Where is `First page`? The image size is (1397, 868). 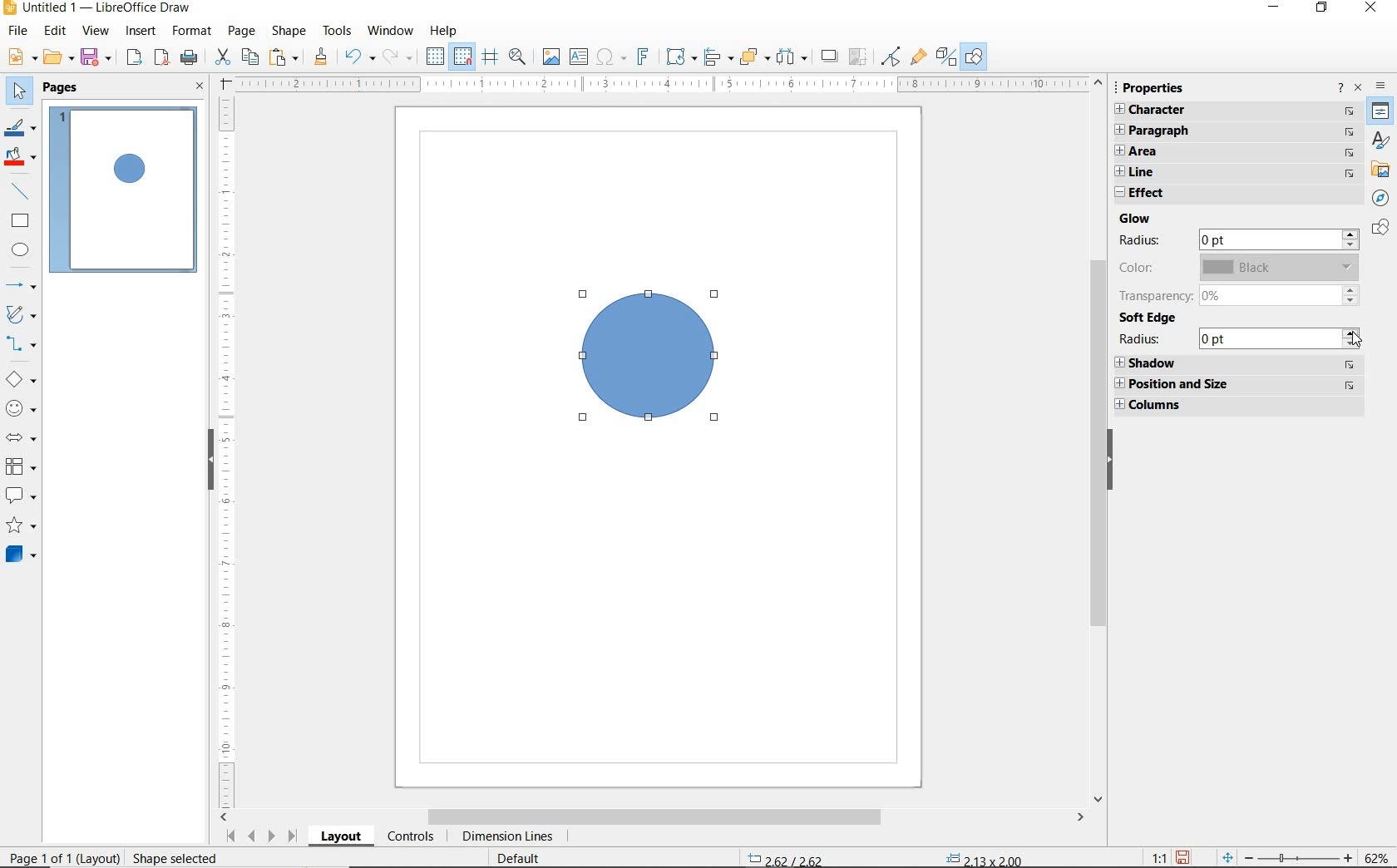
First page is located at coordinates (230, 839).